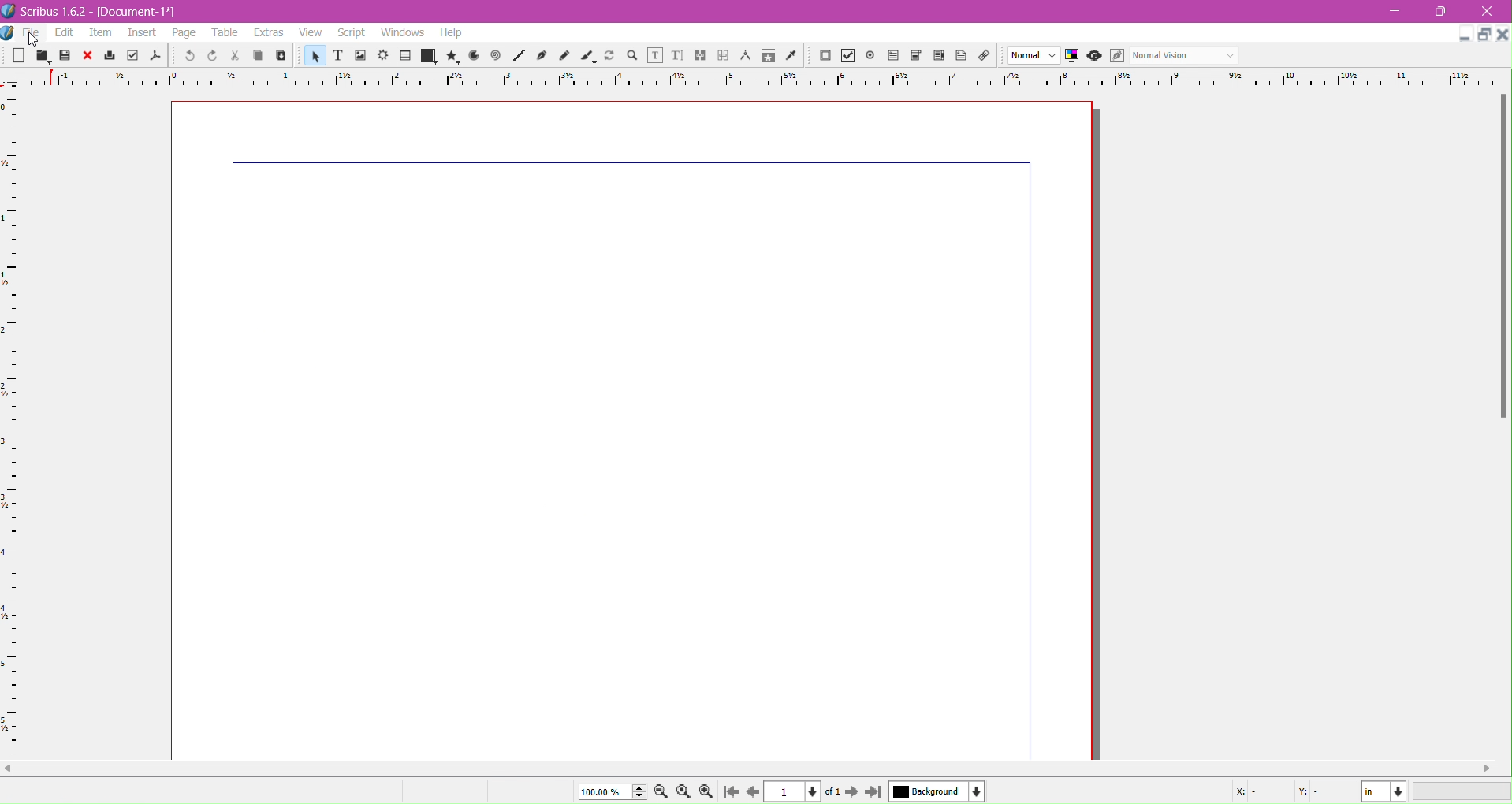 The image size is (1512, 804). What do you see at coordinates (1492, 10) in the screenshot?
I see `close app` at bounding box center [1492, 10].